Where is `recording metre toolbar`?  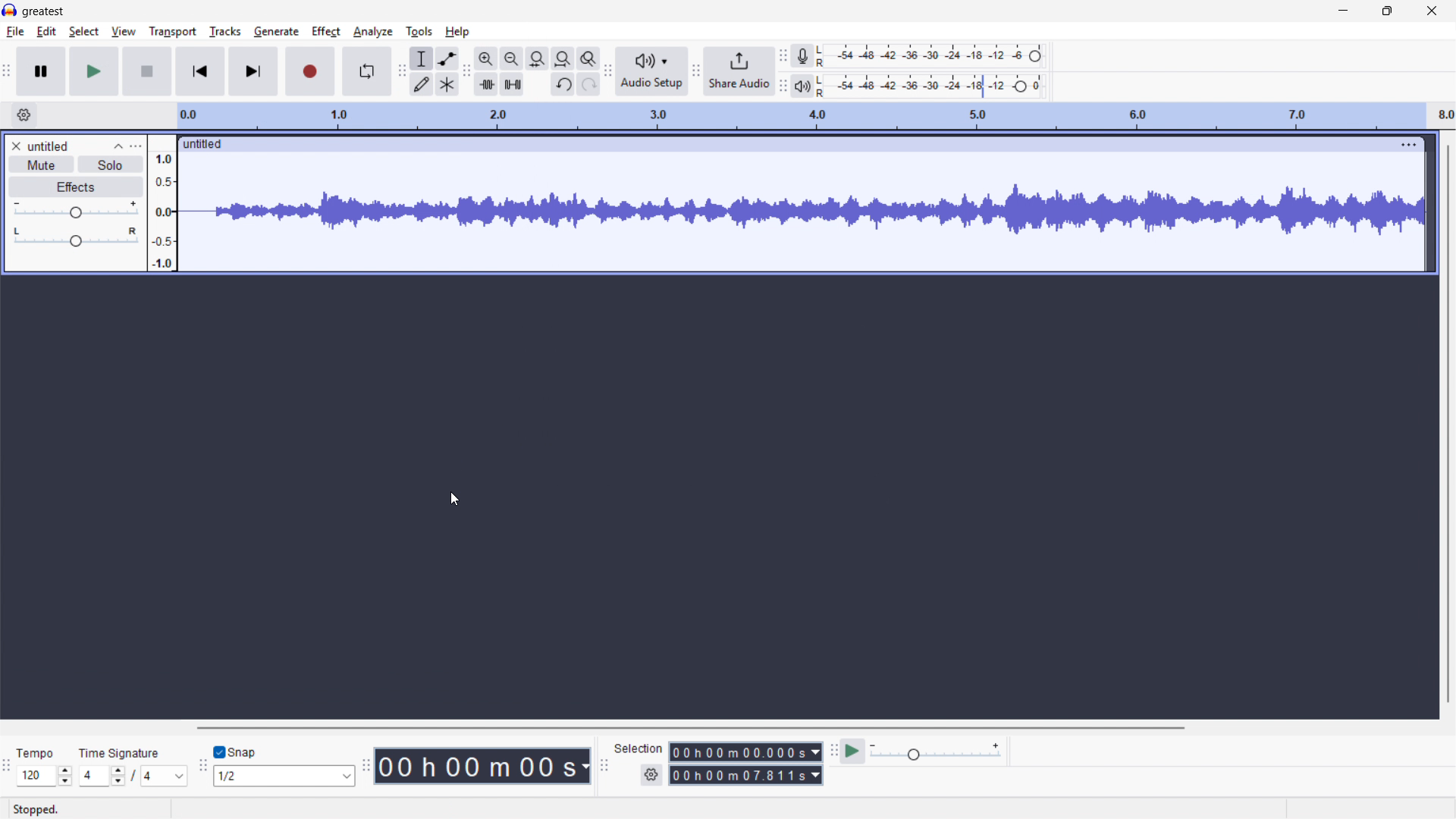
recording metre toolbar is located at coordinates (783, 55).